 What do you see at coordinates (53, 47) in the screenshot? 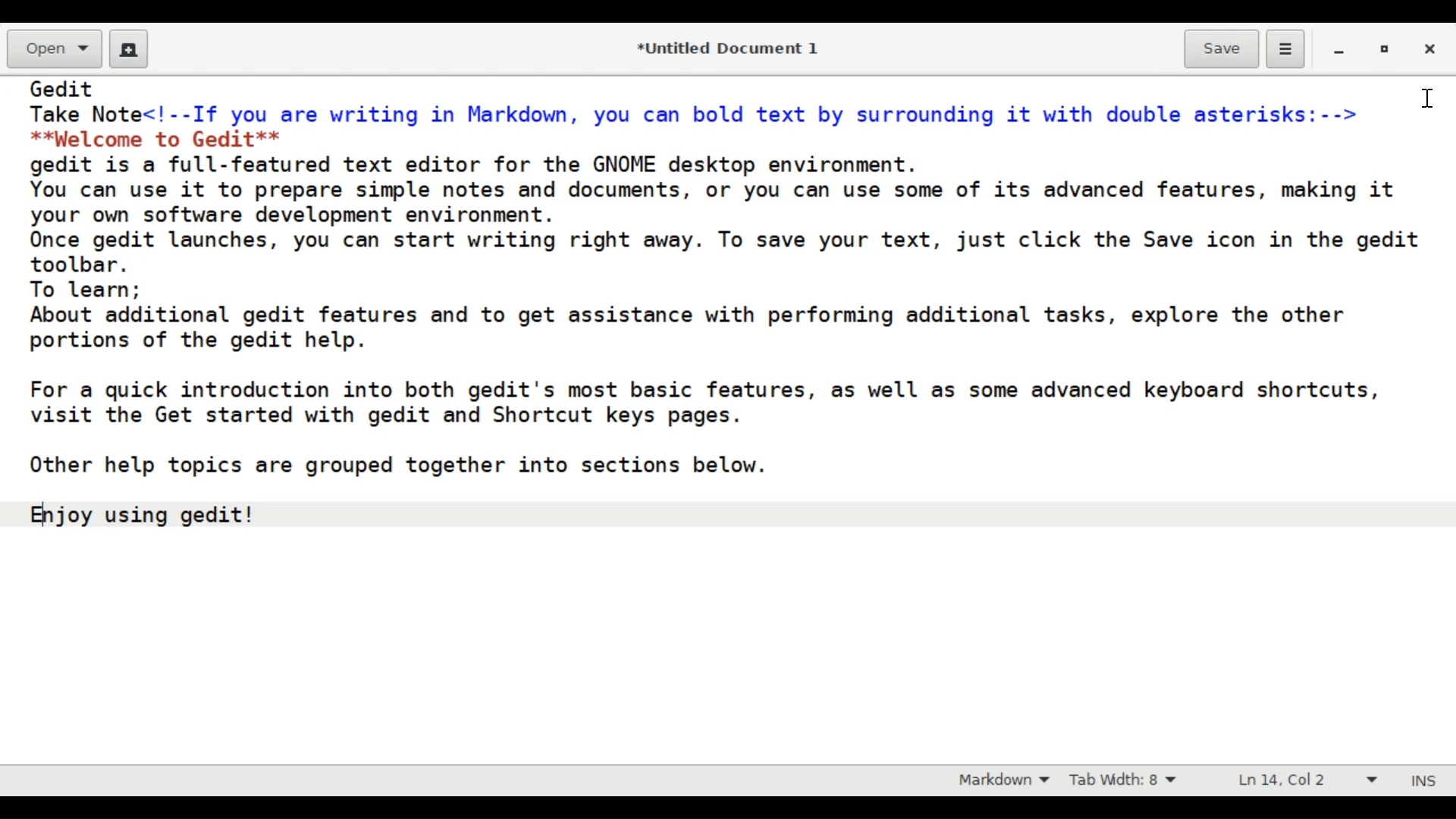
I see `open` at bounding box center [53, 47].